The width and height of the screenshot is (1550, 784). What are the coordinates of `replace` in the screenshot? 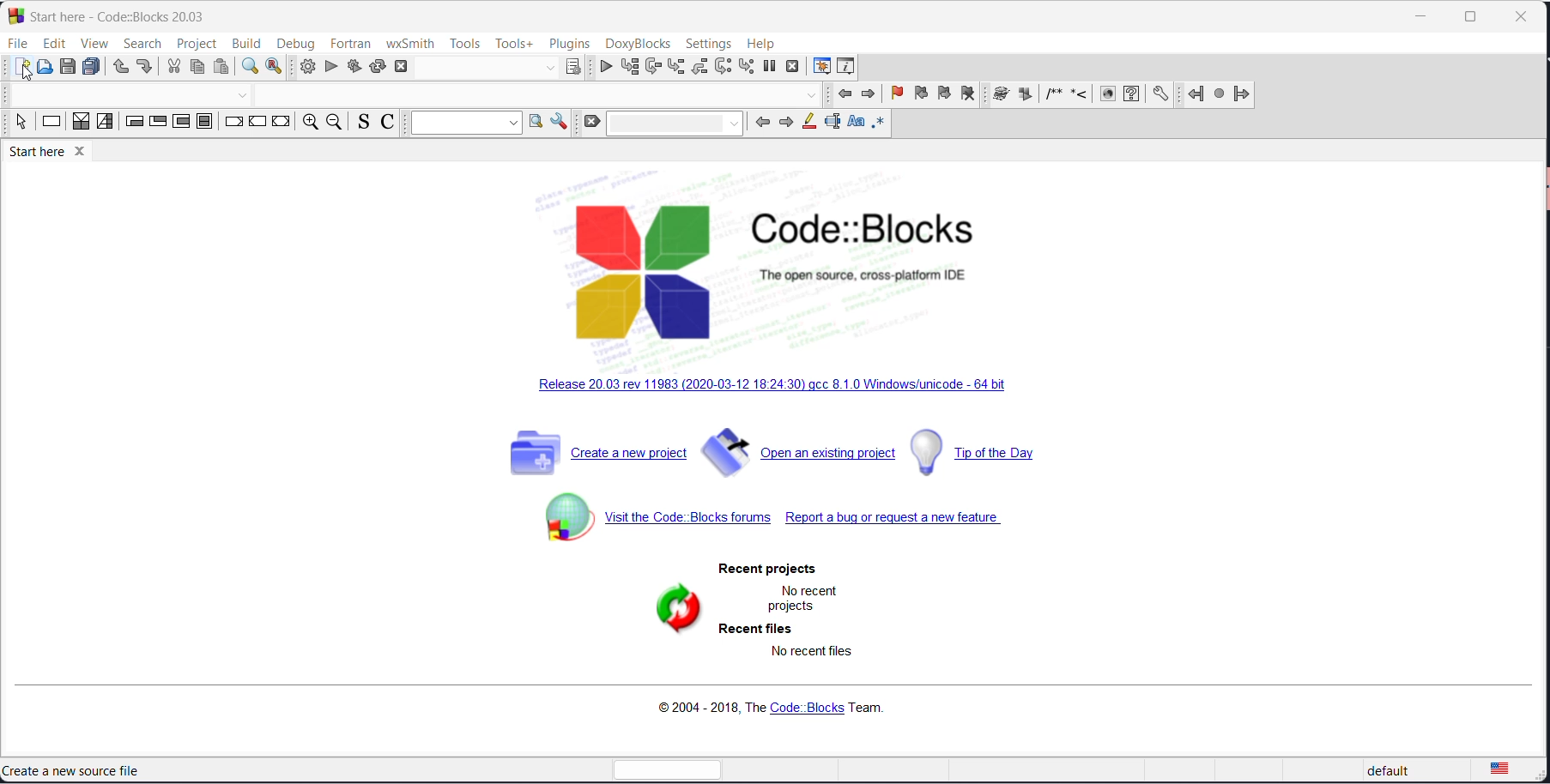 It's located at (275, 67).